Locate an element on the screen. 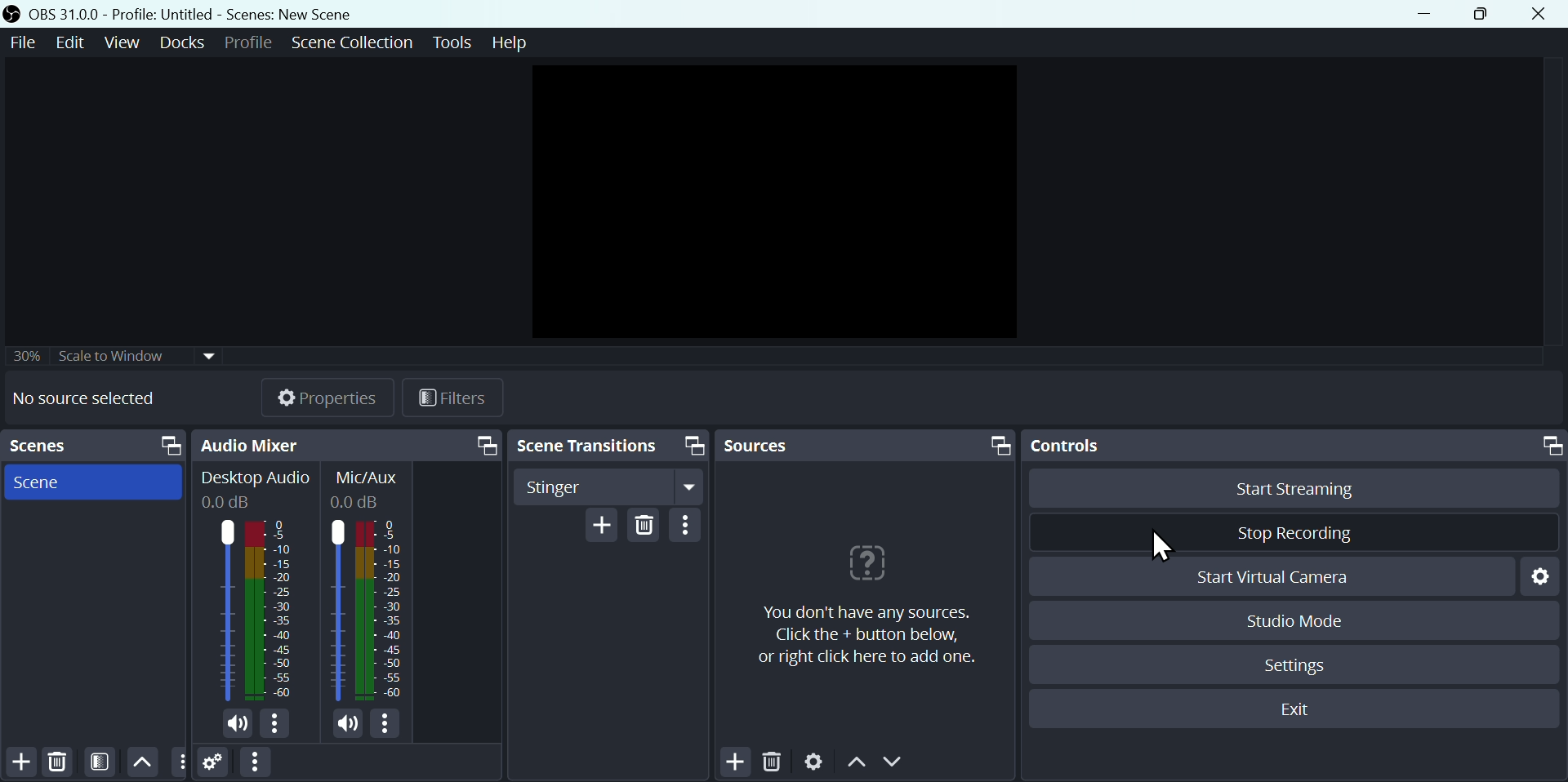  minimize is located at coordinates (1424, 15).